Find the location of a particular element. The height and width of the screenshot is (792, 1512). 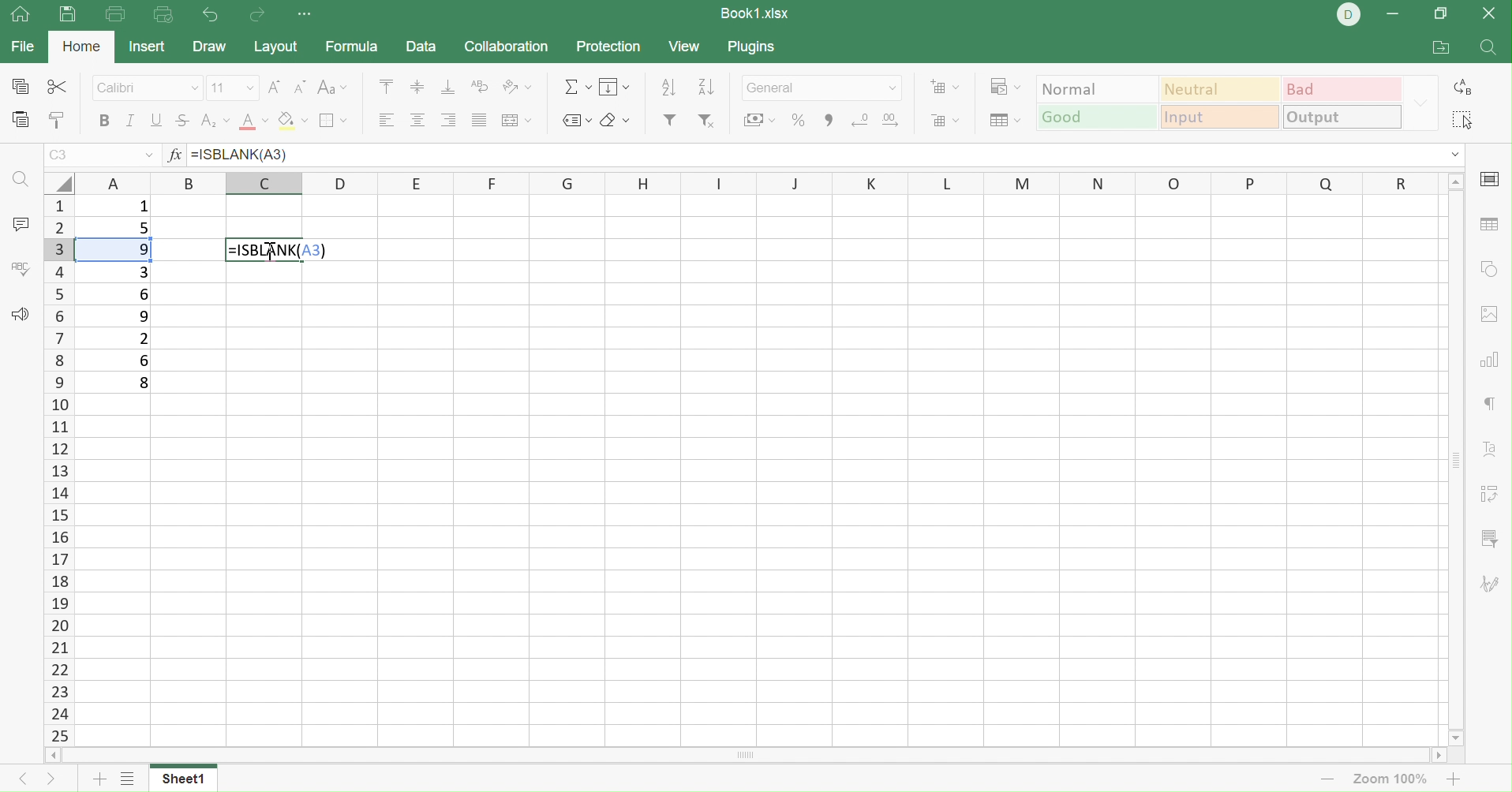

6 is located at coordinates (144, 359).